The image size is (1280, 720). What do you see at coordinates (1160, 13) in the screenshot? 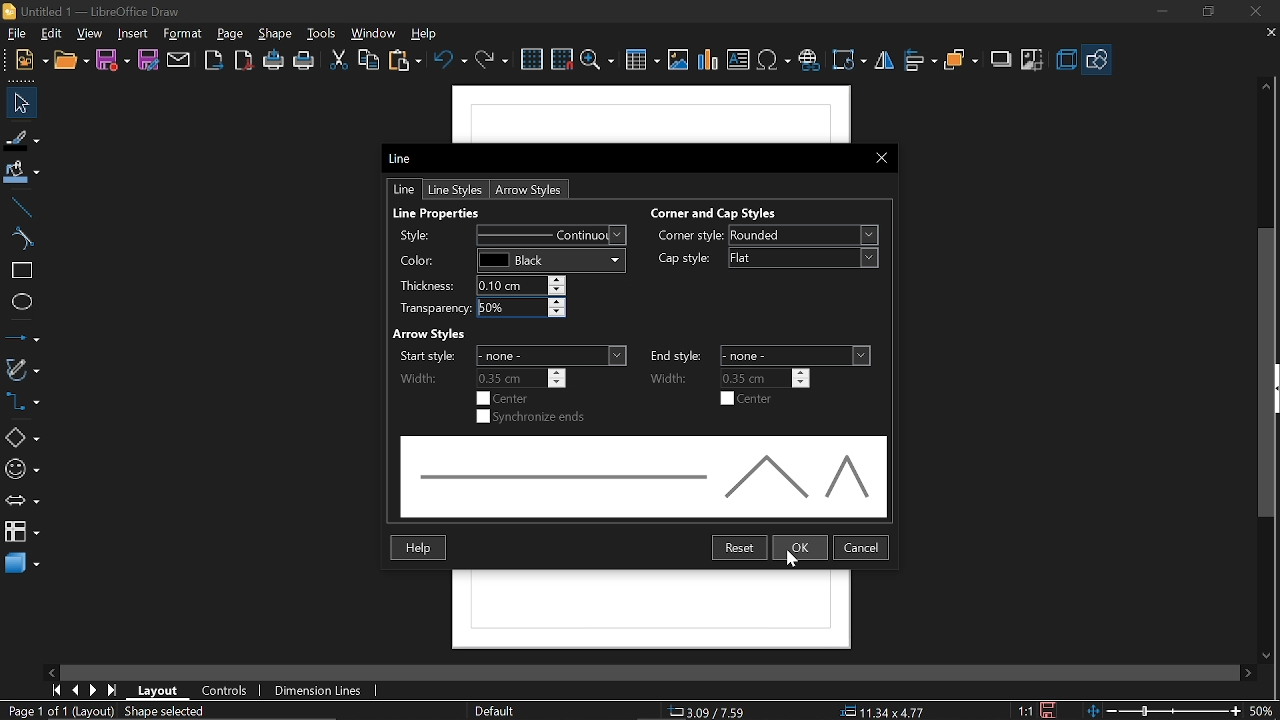
I see `Minimize` at bounding box center [1160, 13].